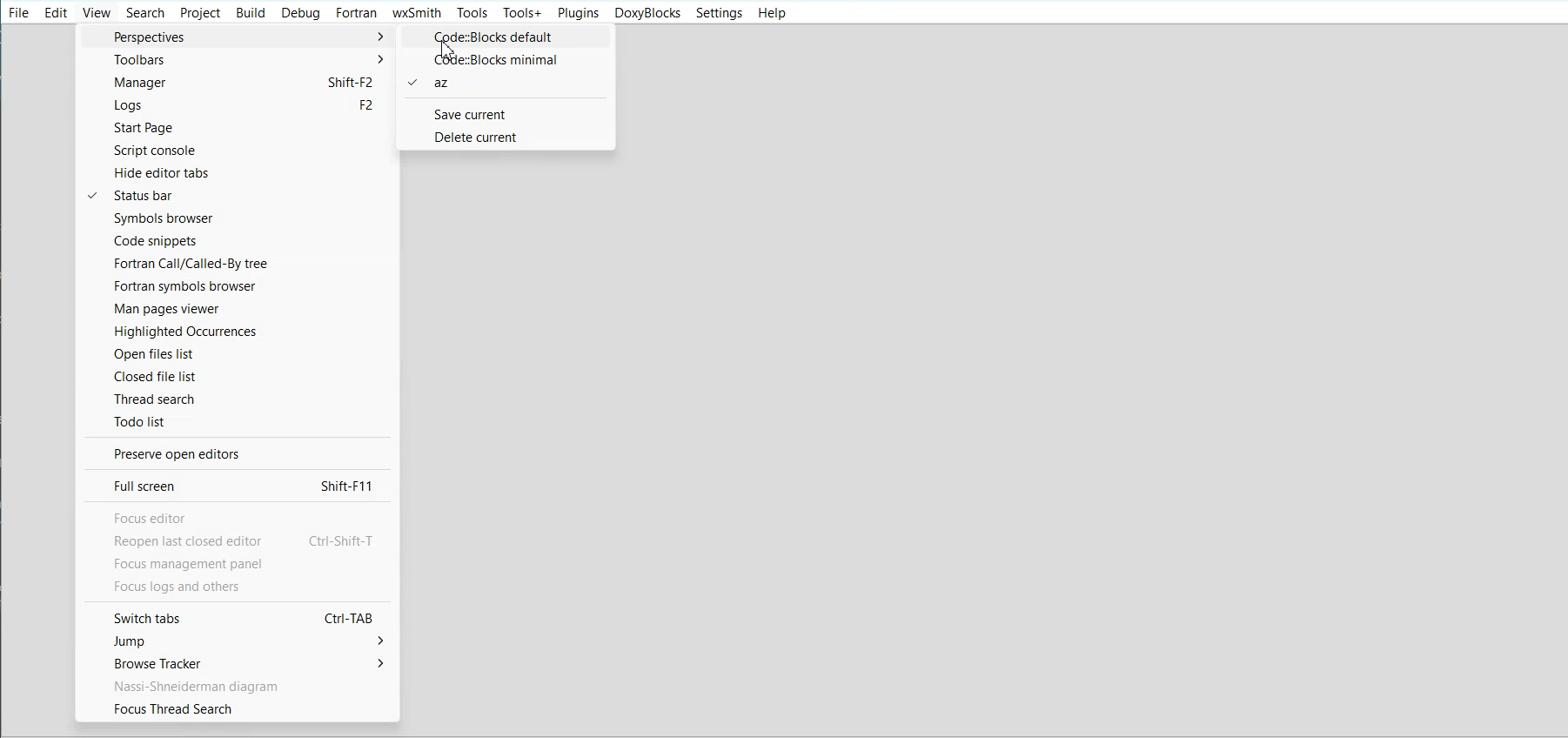  Describe the element at coordinates (241, 552) in the screenshot. I see `text` at that location.